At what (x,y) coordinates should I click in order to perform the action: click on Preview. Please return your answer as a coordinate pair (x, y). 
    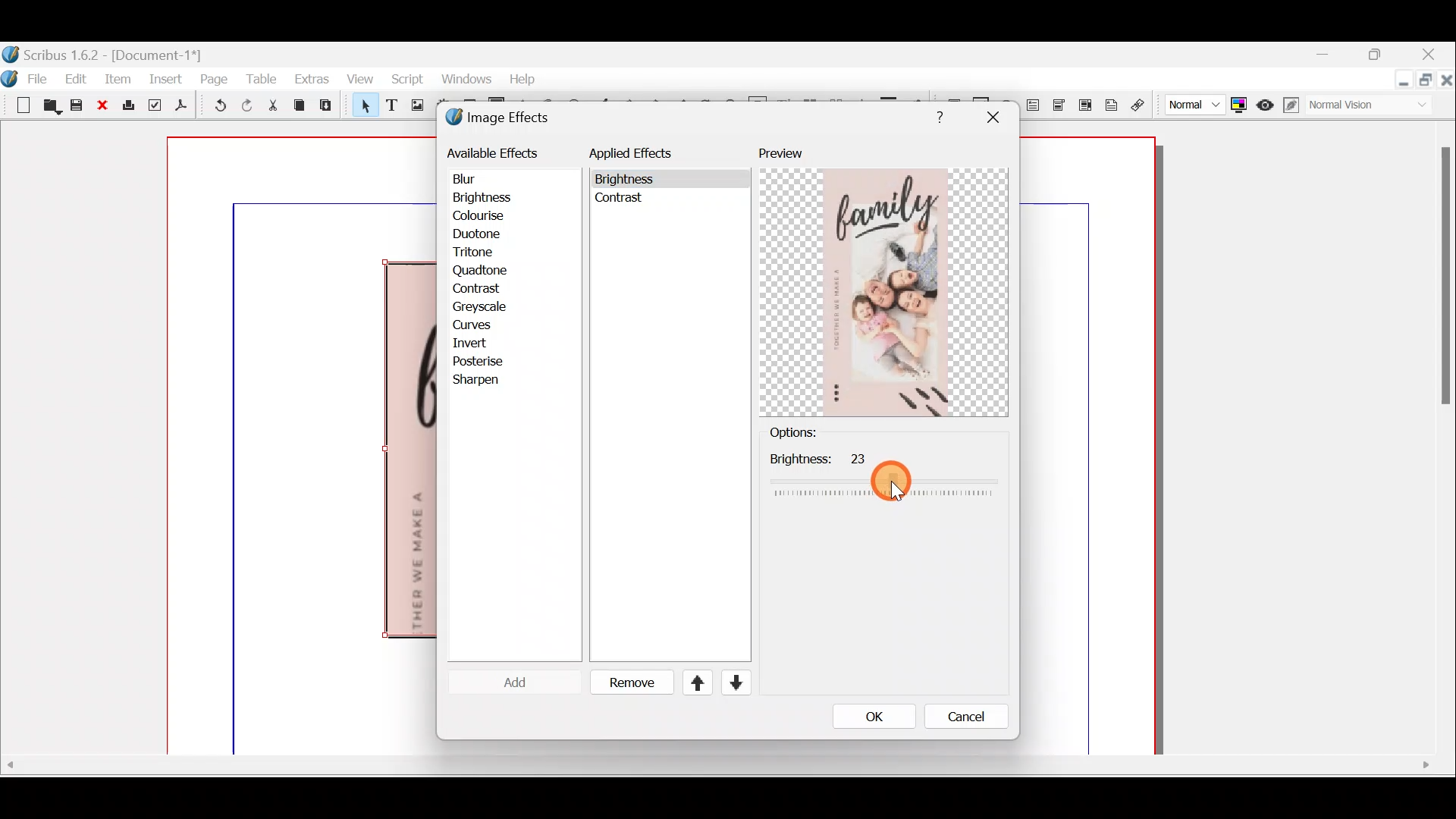
    Looking at the image, I should click on (883, 281).